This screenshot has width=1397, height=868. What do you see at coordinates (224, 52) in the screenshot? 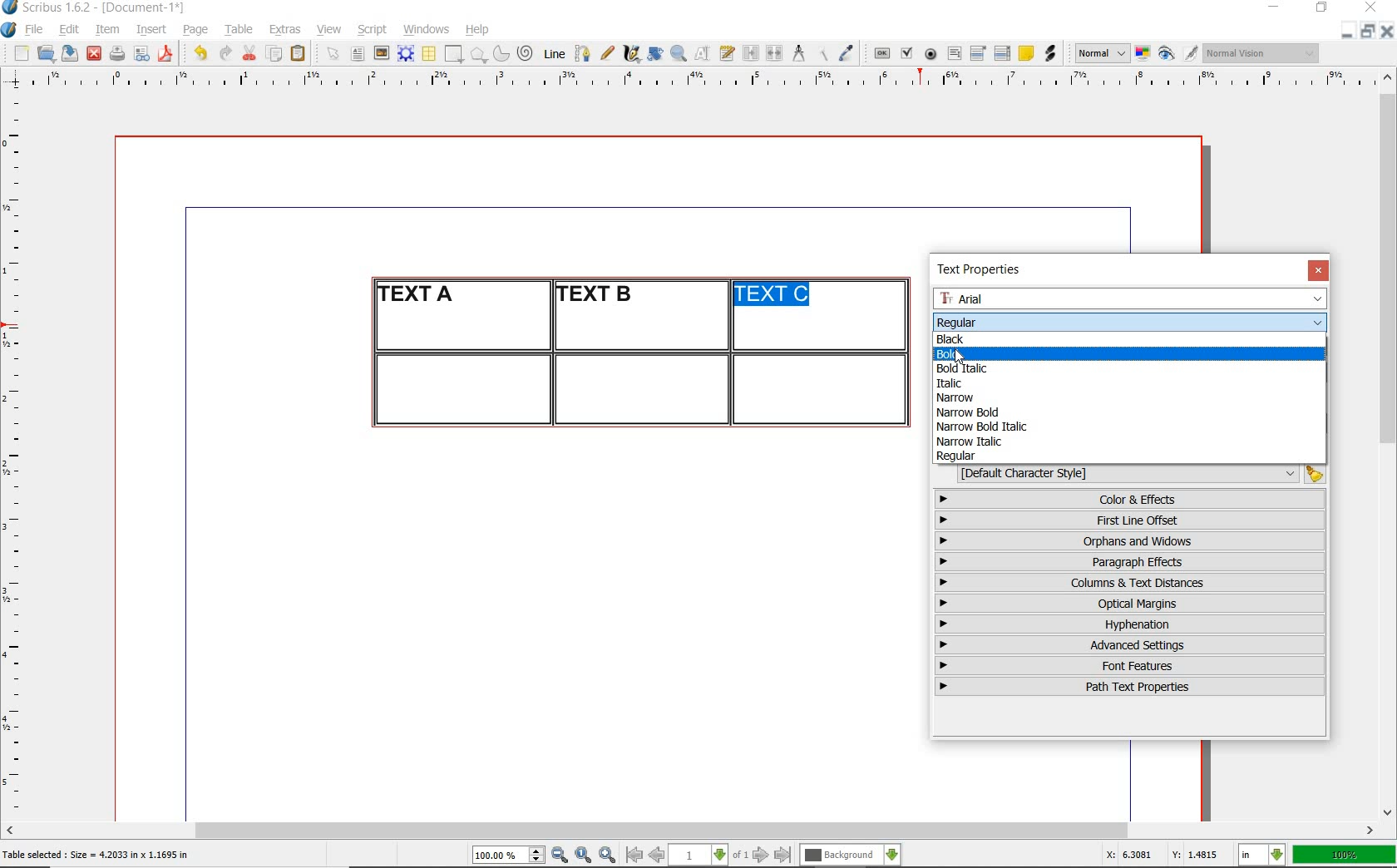
I see `redo` at bounding box center [224, 52].